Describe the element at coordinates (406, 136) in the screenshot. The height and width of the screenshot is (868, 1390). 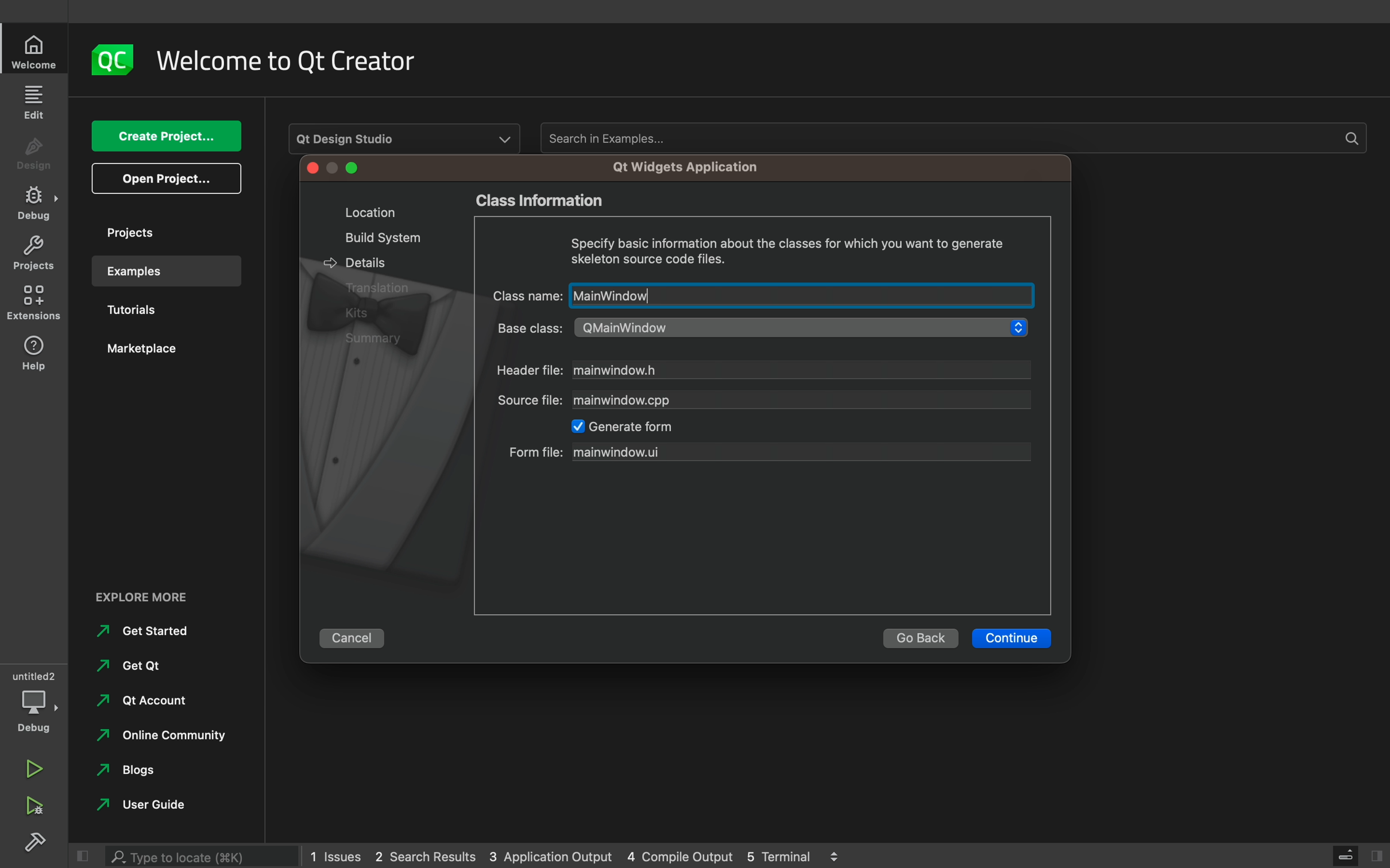
I see `Qt Design` at that location.